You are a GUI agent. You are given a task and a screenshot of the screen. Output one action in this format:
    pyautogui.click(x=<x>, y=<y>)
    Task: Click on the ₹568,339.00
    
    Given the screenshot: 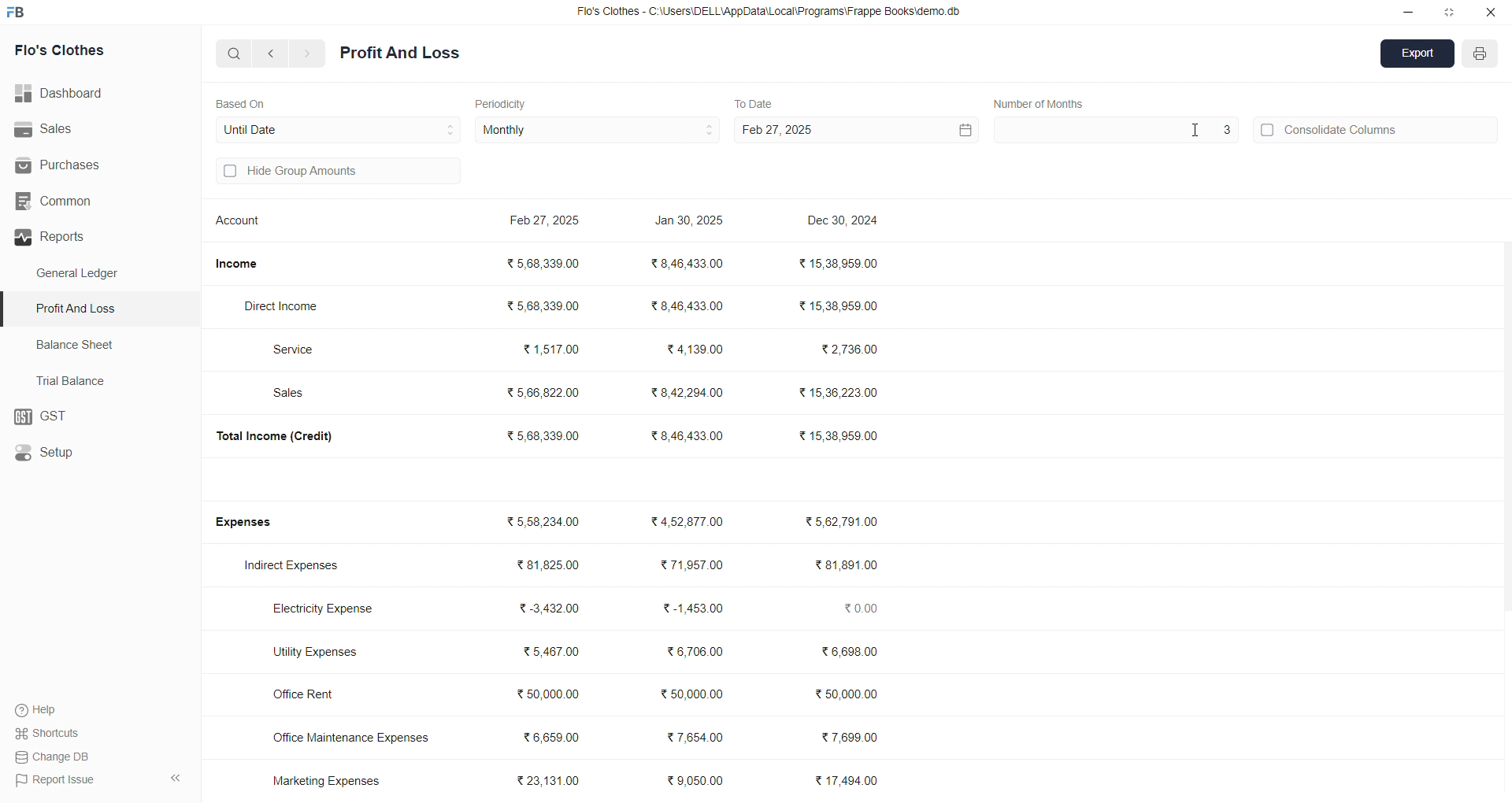 What is the action you would take?
    pyautogui.click(x=546, y=304)
    